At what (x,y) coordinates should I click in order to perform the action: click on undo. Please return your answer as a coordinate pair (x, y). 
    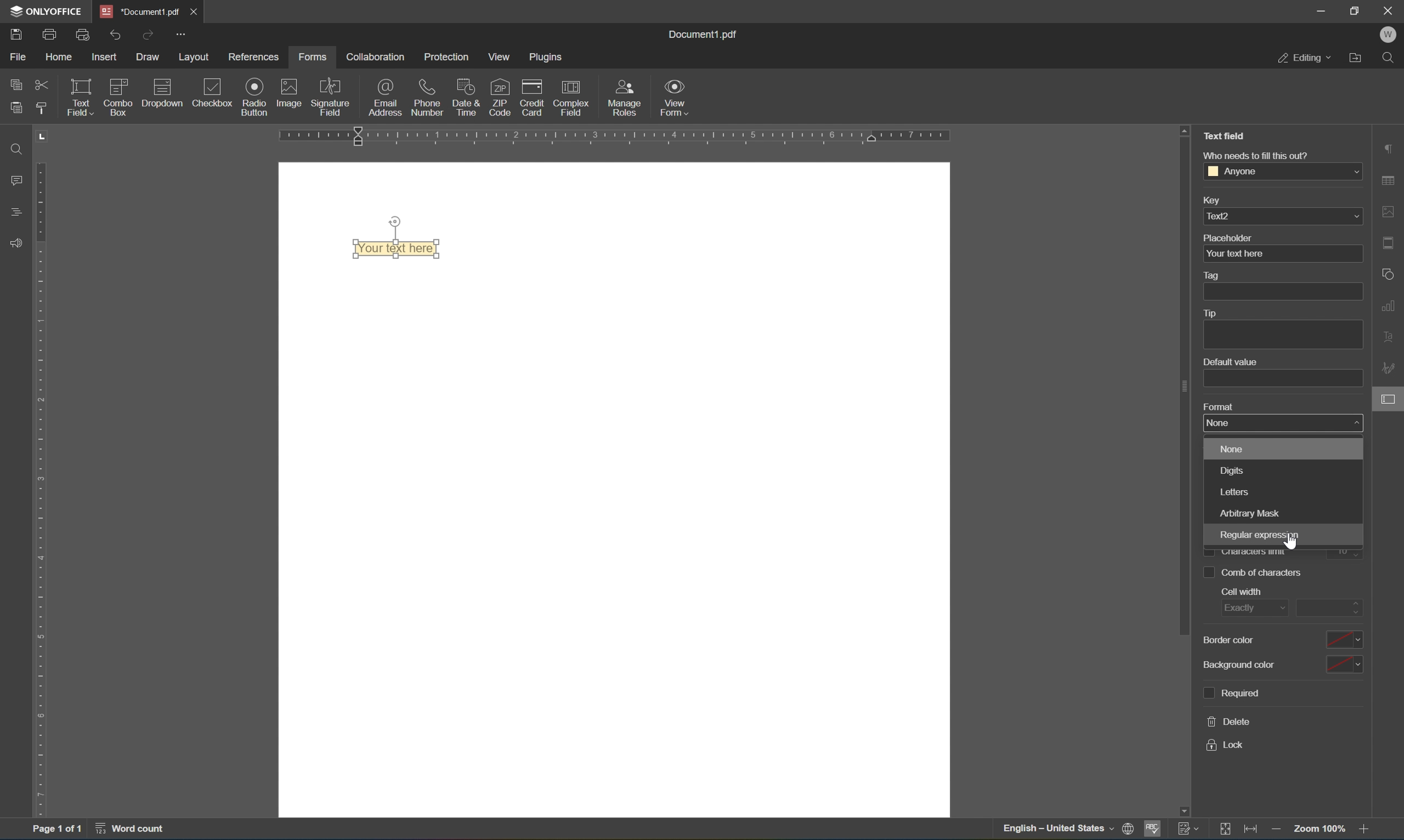
    Looking at the image, I should click on (116, 35).